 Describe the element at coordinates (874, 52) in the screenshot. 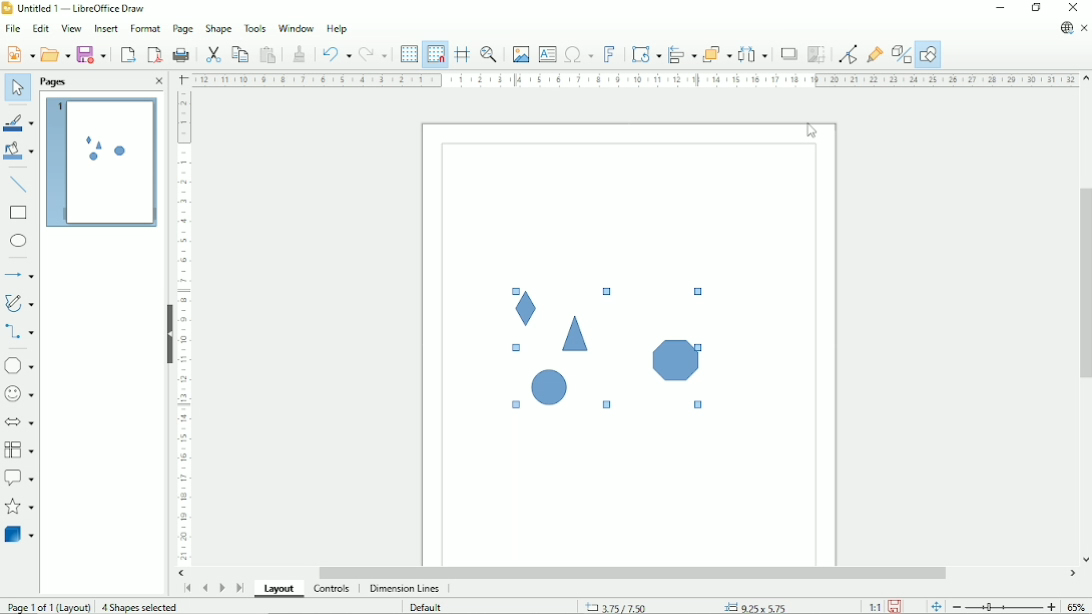

I see `Show gluepoint functions` at that location.